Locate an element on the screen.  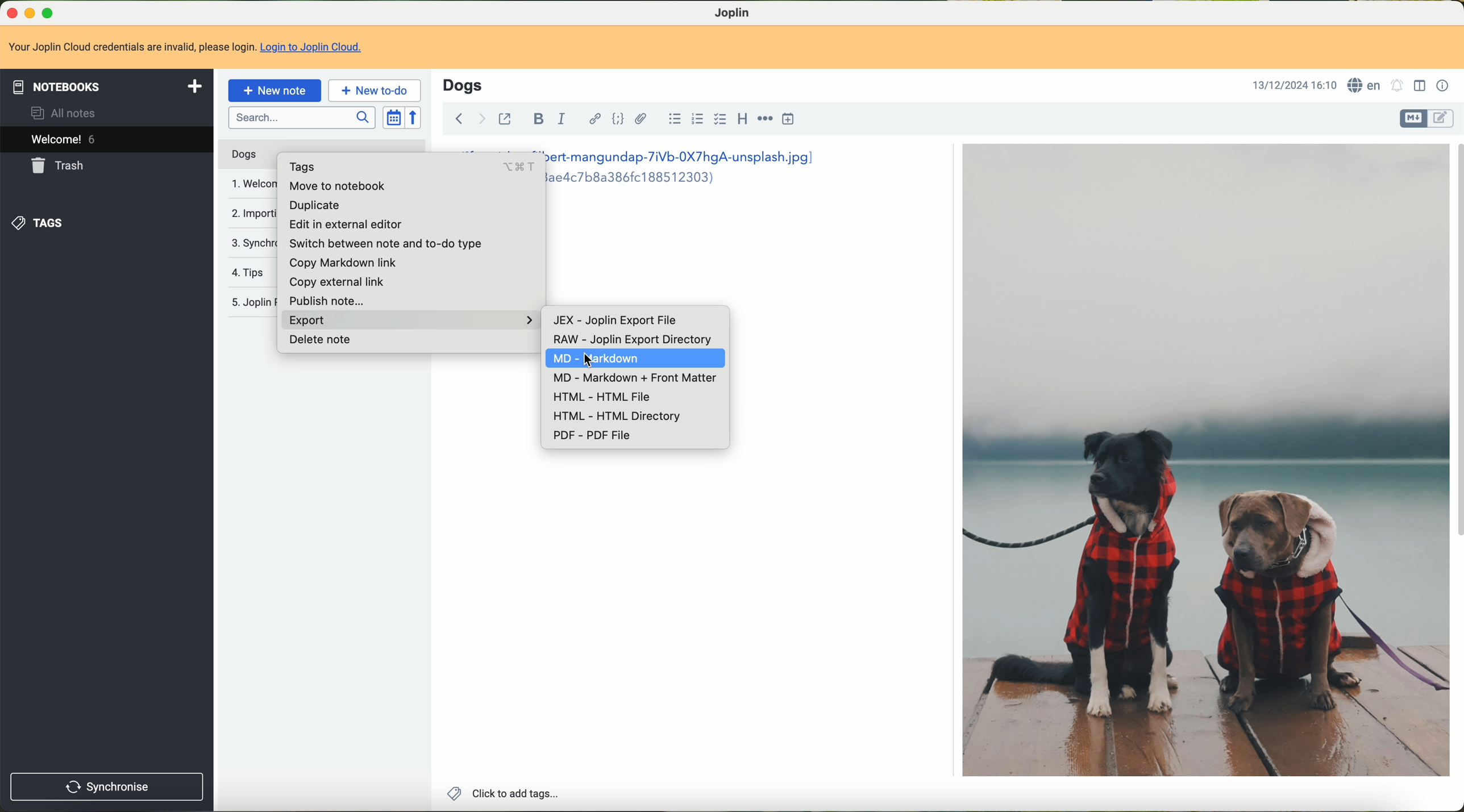
synchronise your notes is located at coordinates (252, 241).